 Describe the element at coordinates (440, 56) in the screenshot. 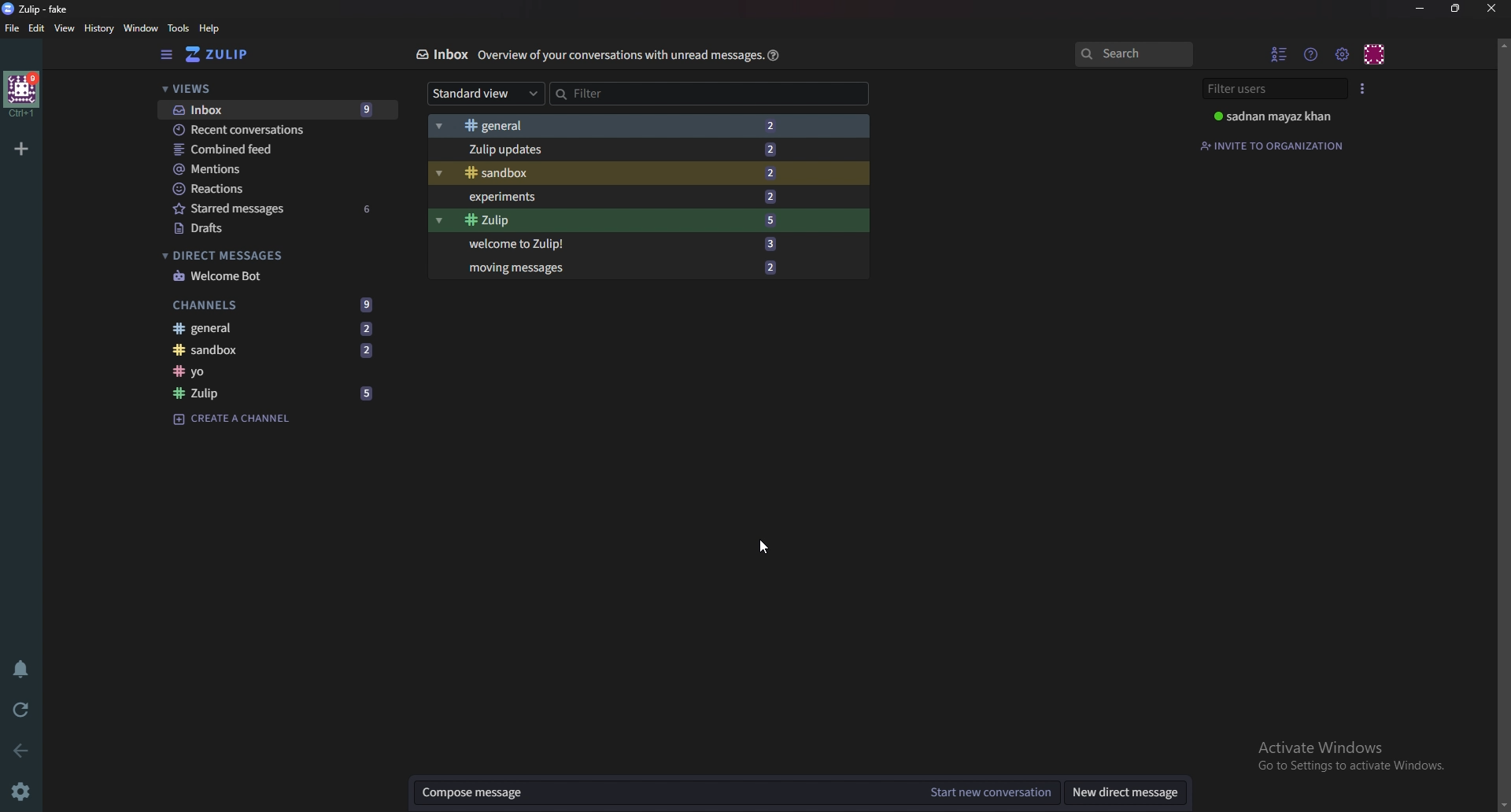

I see `Inbox` at that location.